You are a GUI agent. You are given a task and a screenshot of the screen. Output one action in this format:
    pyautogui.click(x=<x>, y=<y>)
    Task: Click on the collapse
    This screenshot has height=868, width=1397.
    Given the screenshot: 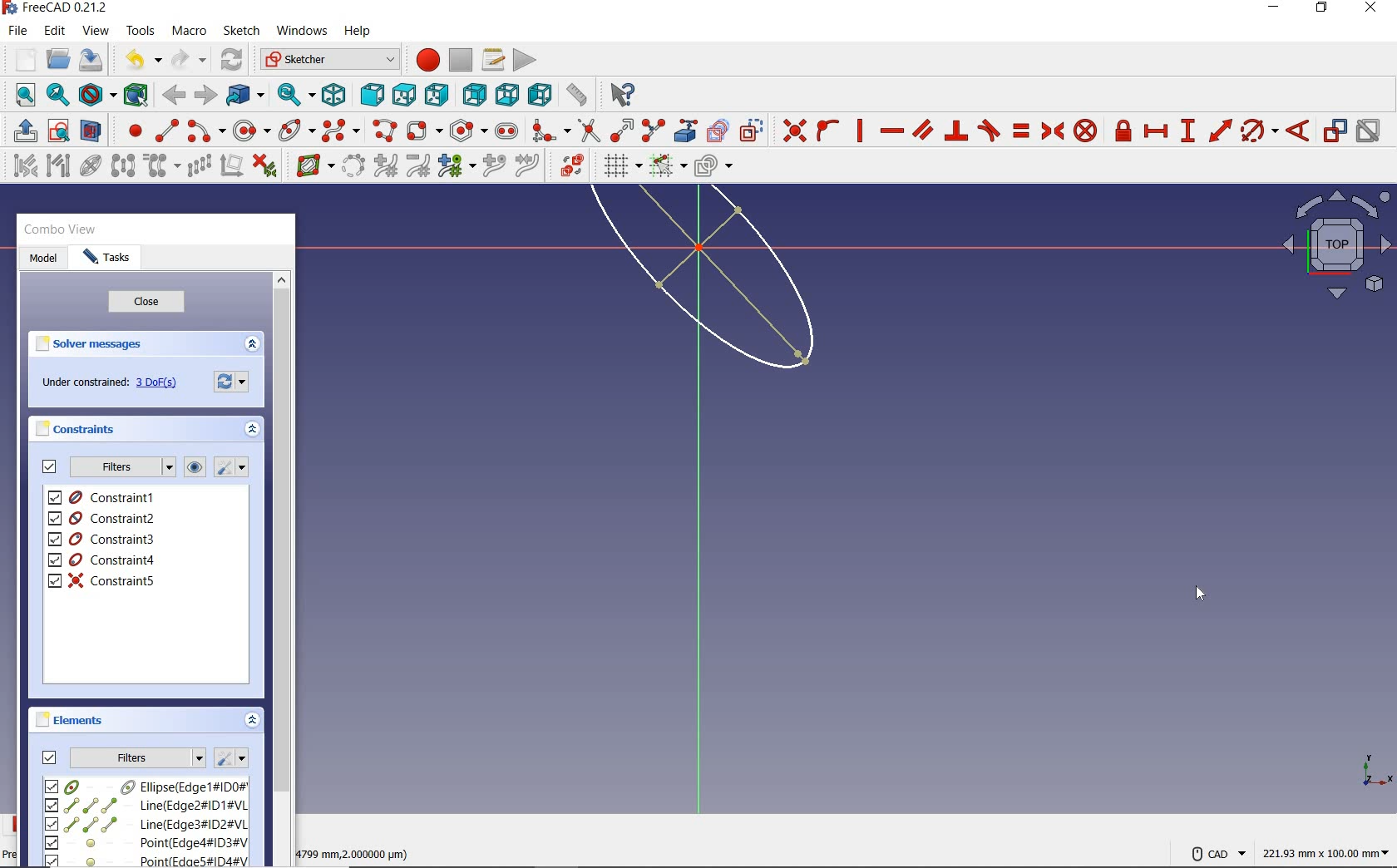 What is the action you would take?
    pyautogui.click(x=253, y=722)
    